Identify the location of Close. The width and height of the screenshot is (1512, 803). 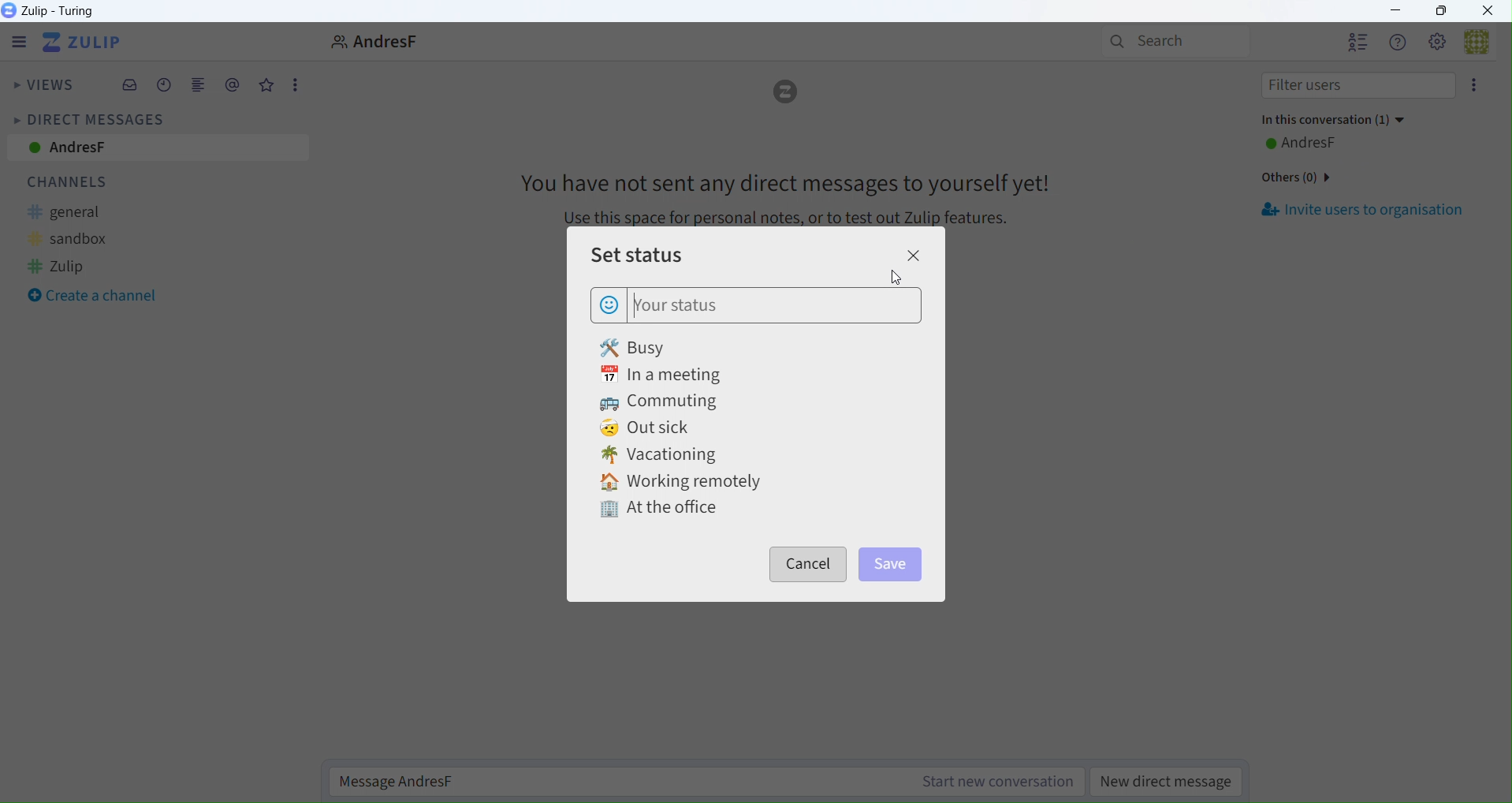
(1493, 11).